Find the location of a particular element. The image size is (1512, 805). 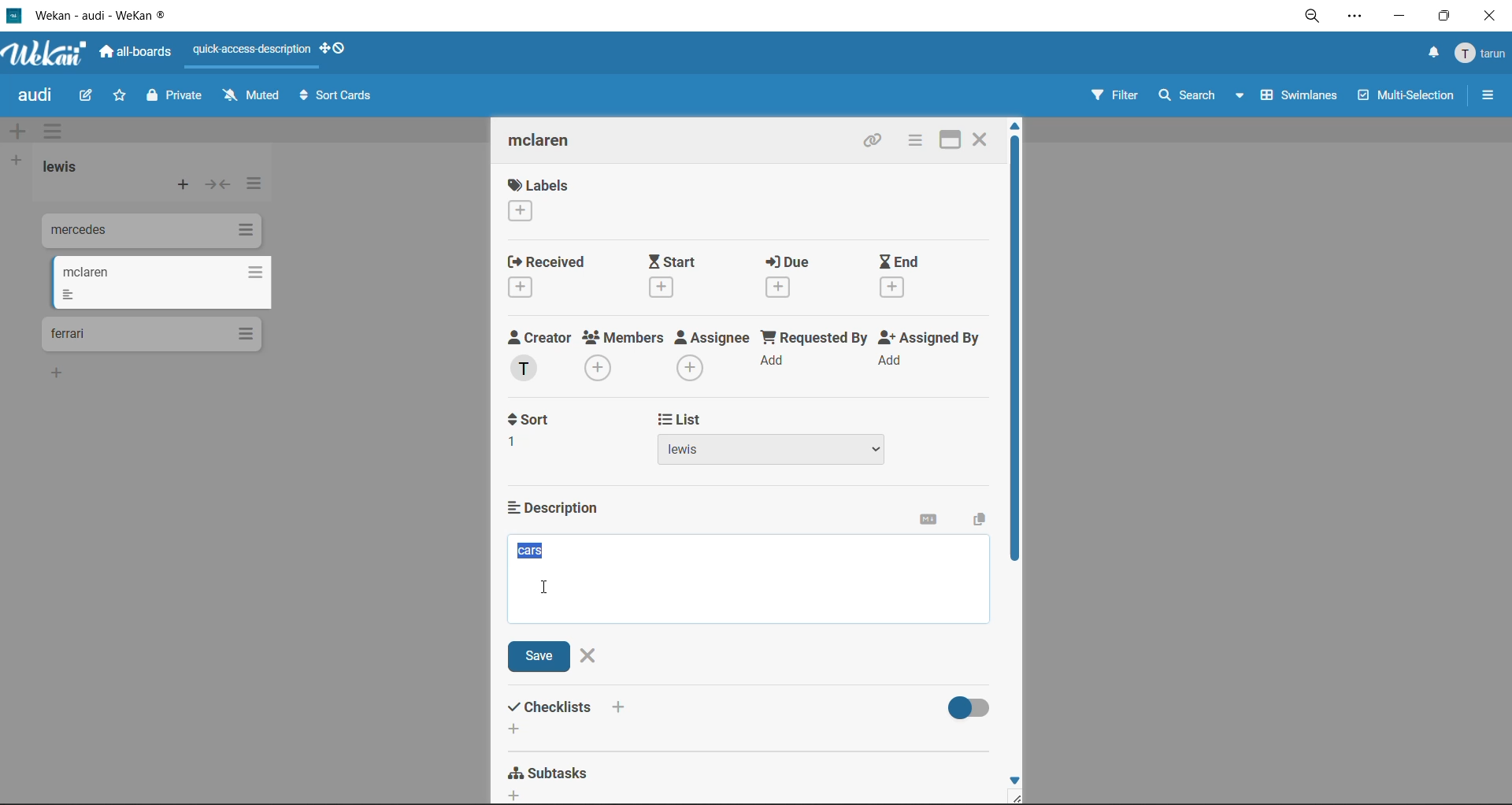

requested by is located at coordinates (813, 354).